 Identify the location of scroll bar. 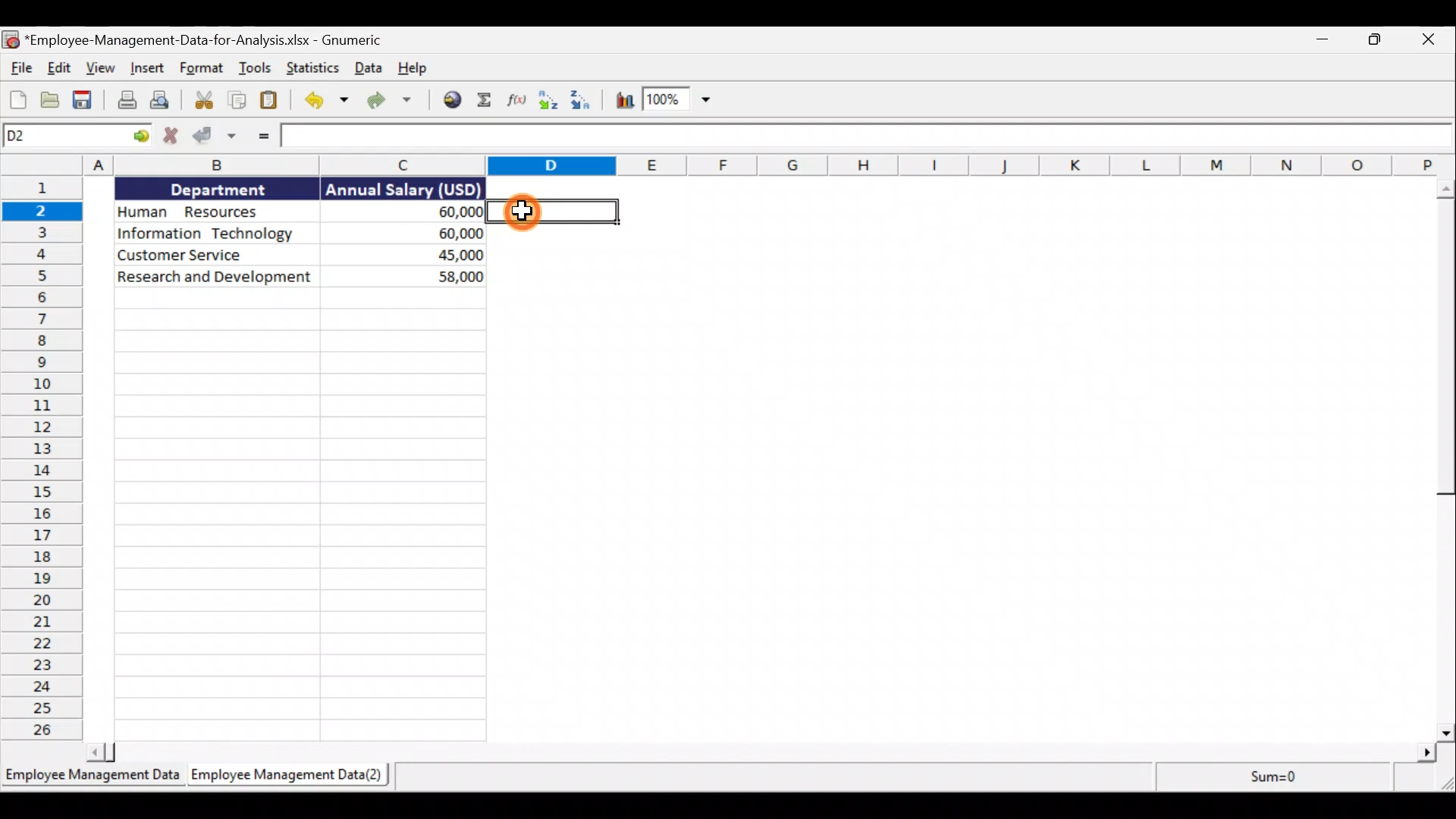
(752, 752).